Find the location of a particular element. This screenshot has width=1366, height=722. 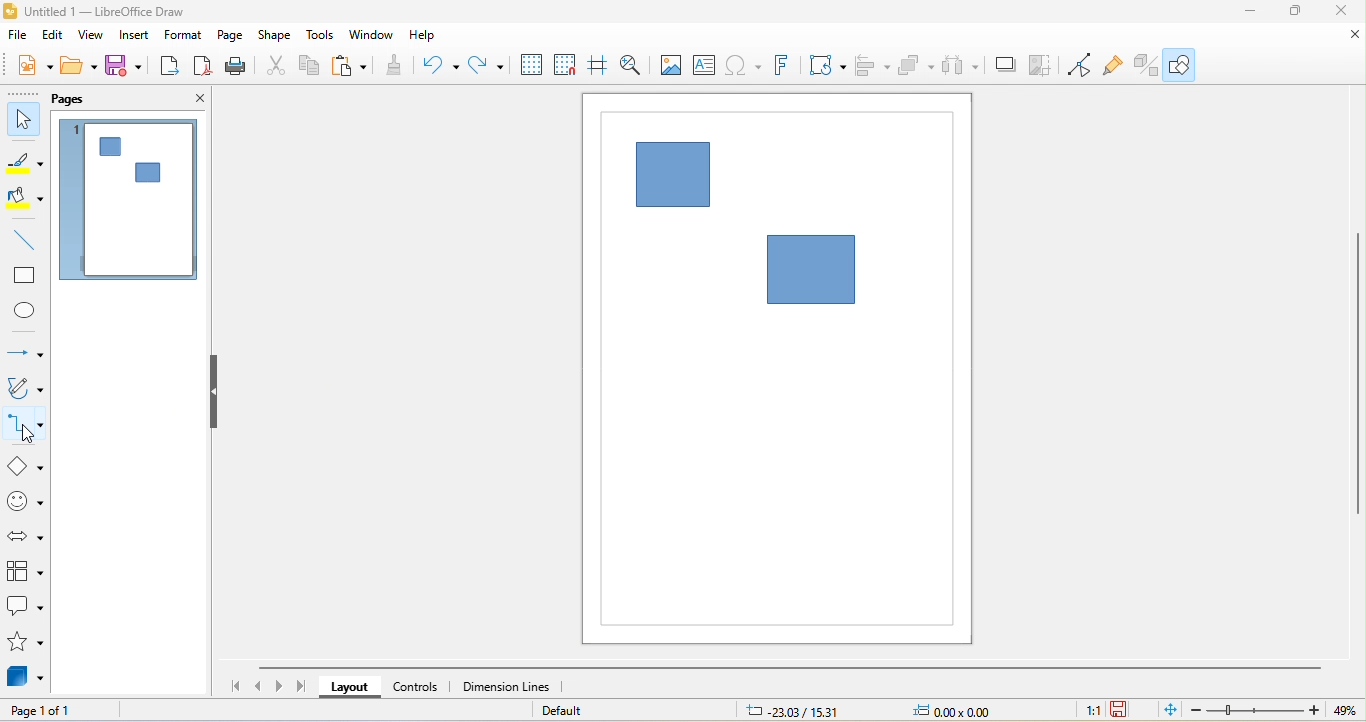

shape is located at coordinates (809, 269).